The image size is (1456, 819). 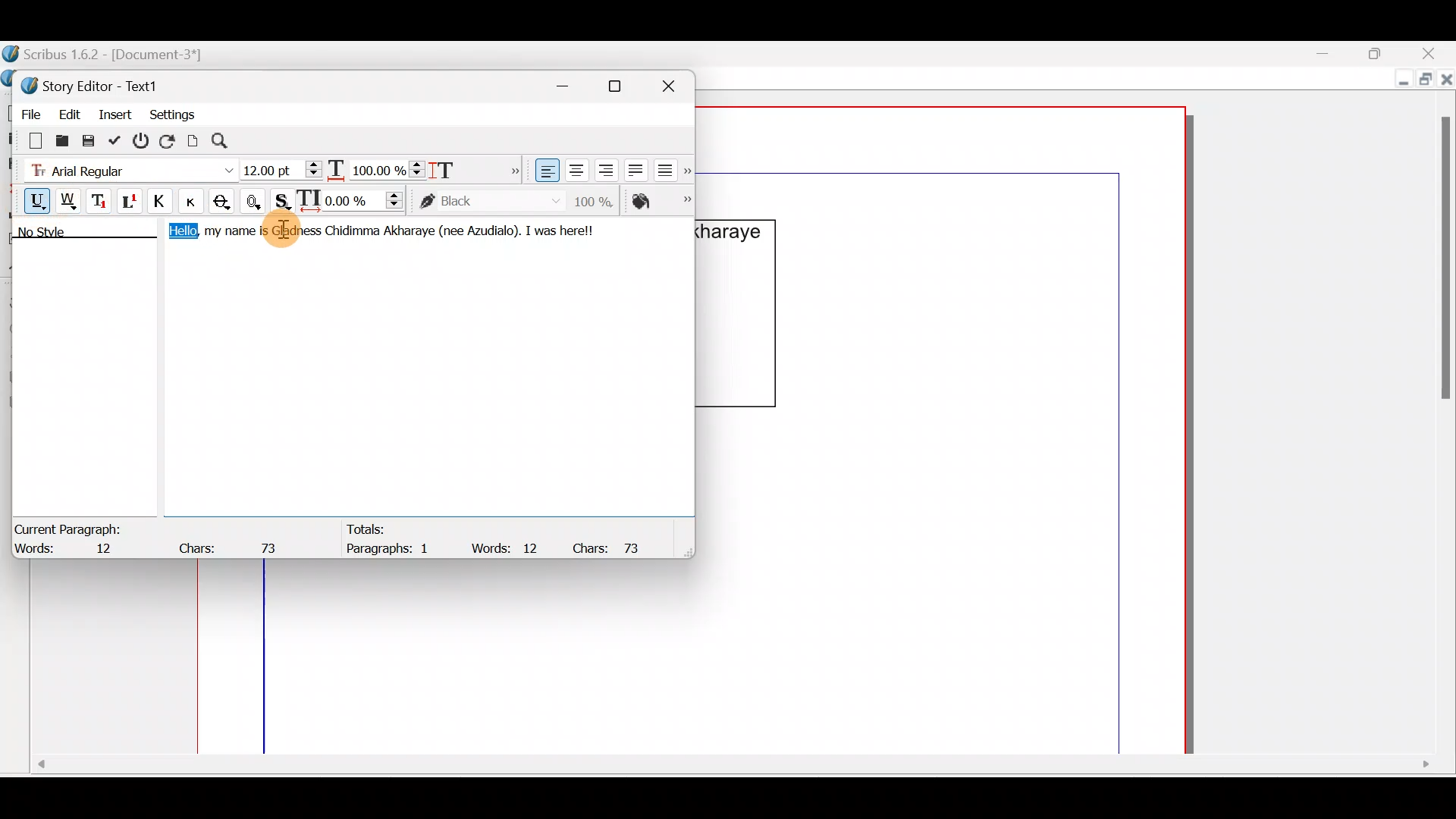 What do you see at coordinates (283, 170) in the screenshot?
I see `Font size - 12:00pt` at bounding box center [283, 170].